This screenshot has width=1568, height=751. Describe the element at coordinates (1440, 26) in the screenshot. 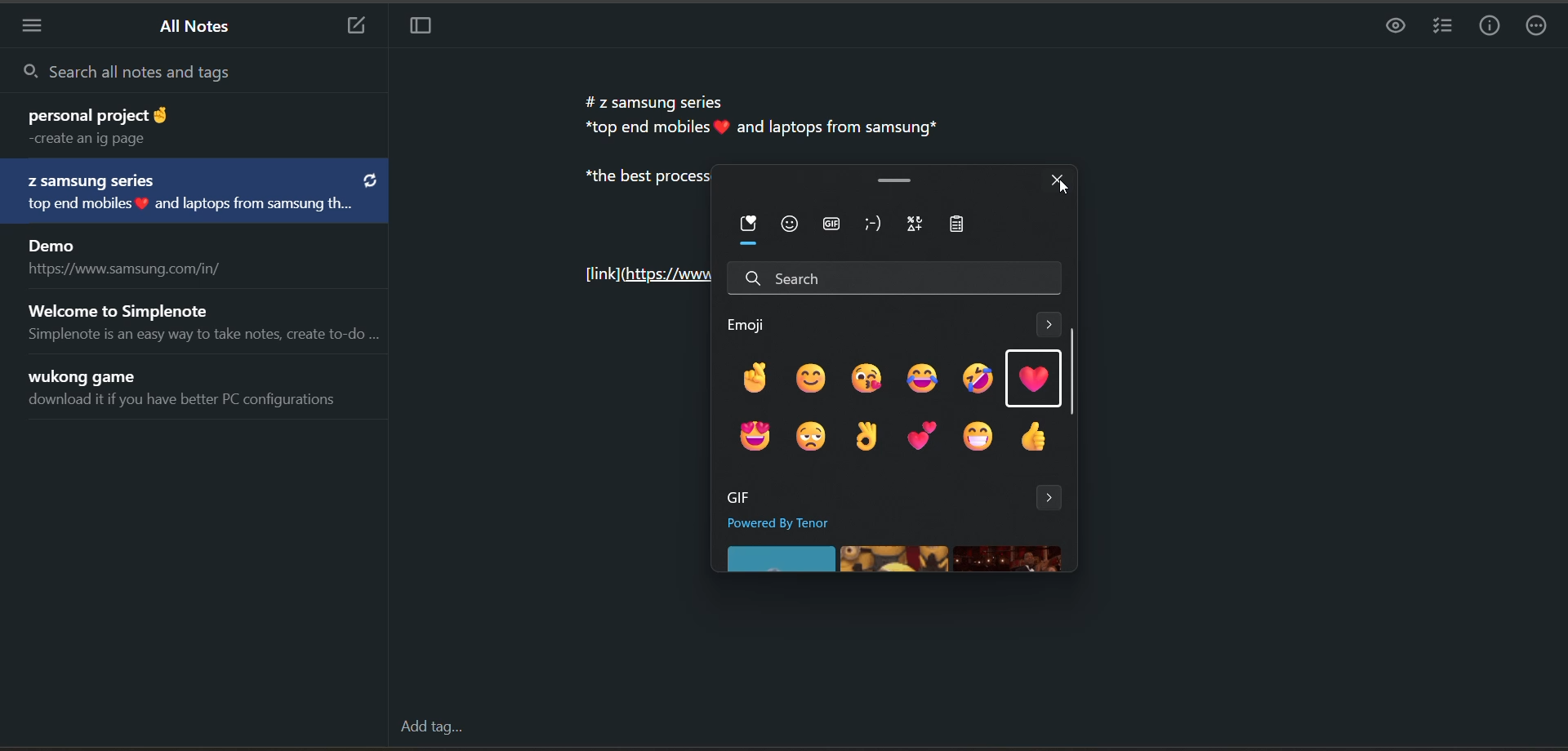

I see `insert checklist` at that location.